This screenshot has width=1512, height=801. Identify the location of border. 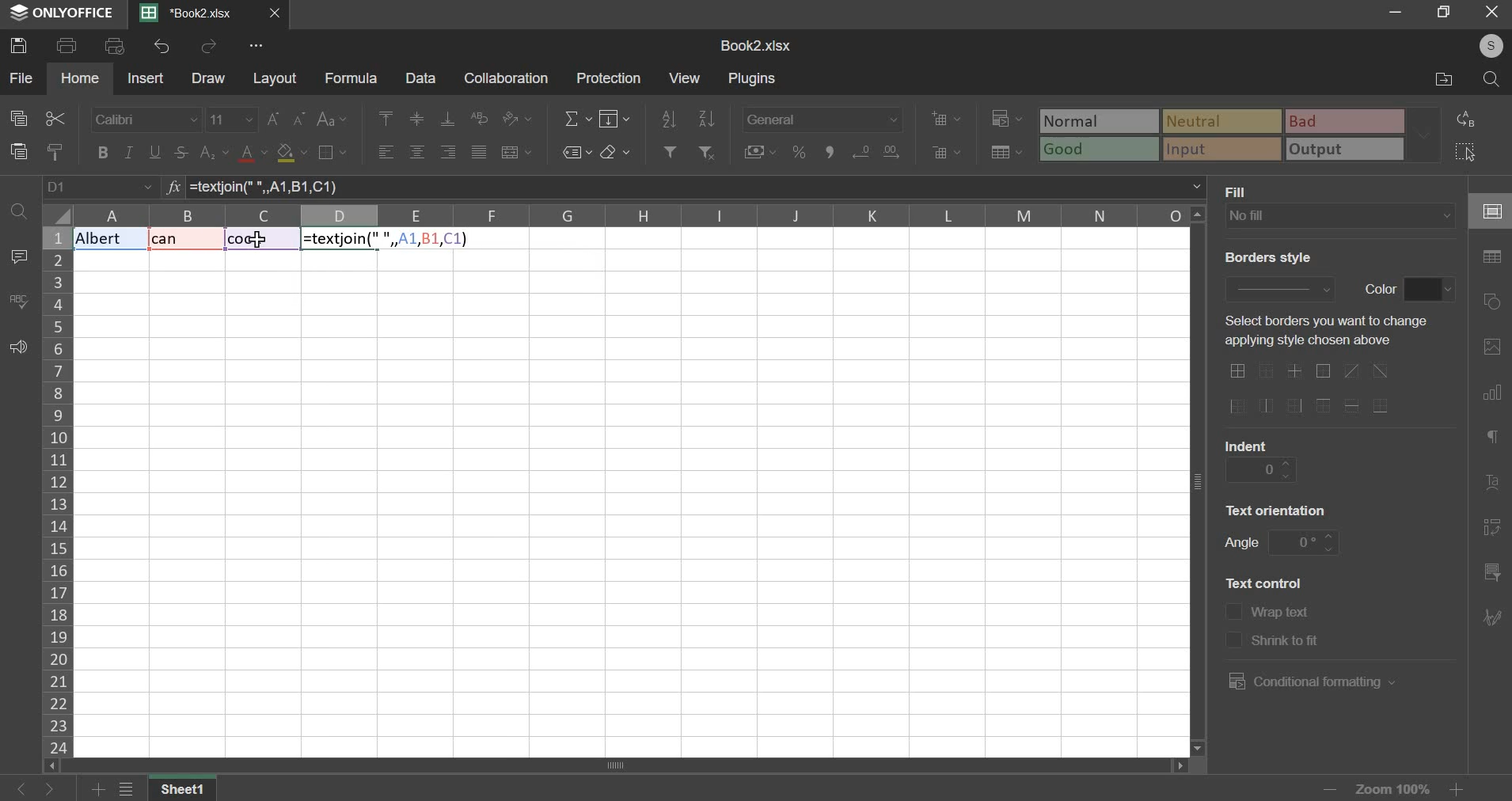
(332, 151).